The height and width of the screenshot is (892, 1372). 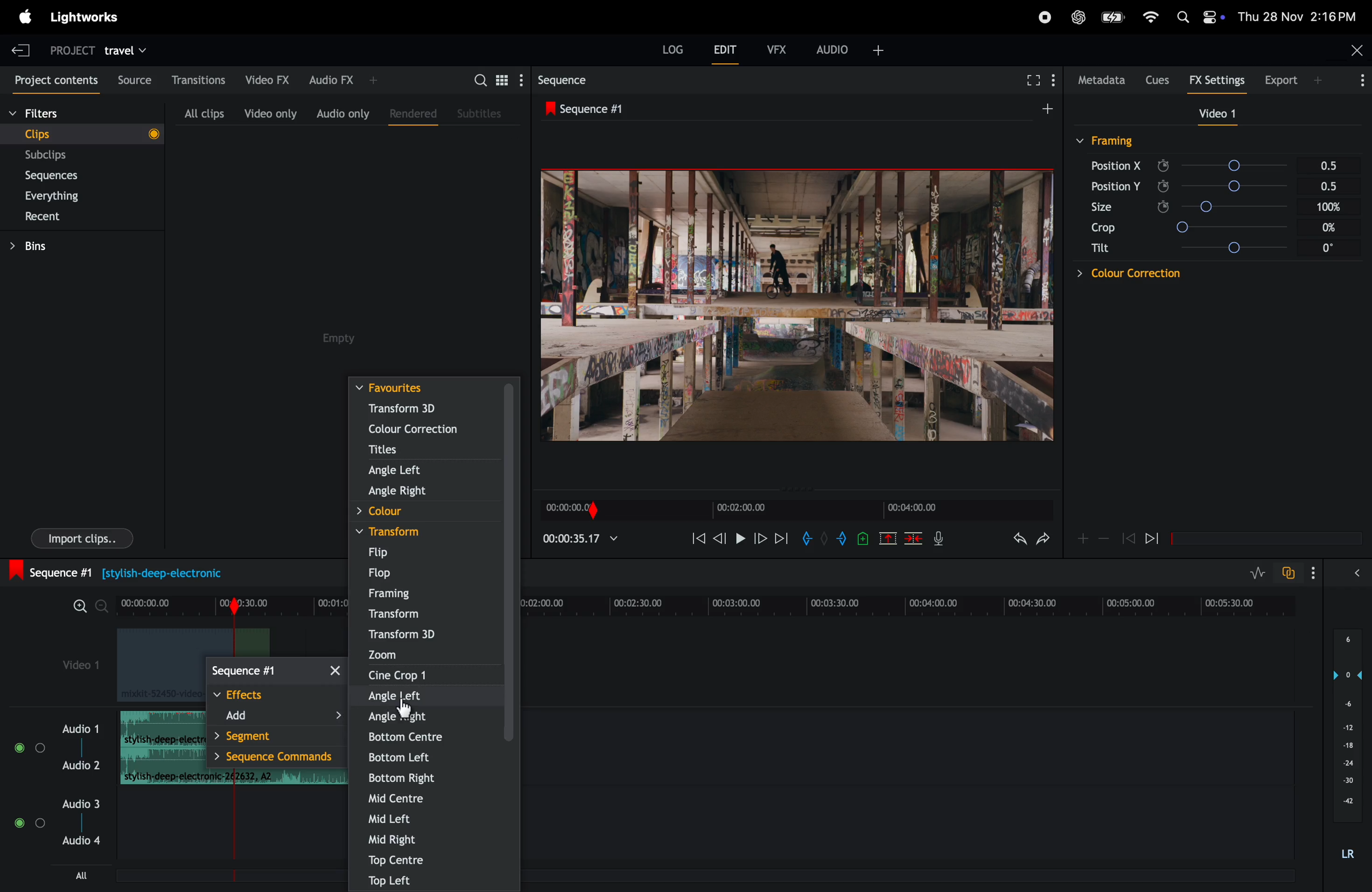 I want to click on jump to next key frame, so click(x=1162, y=539).